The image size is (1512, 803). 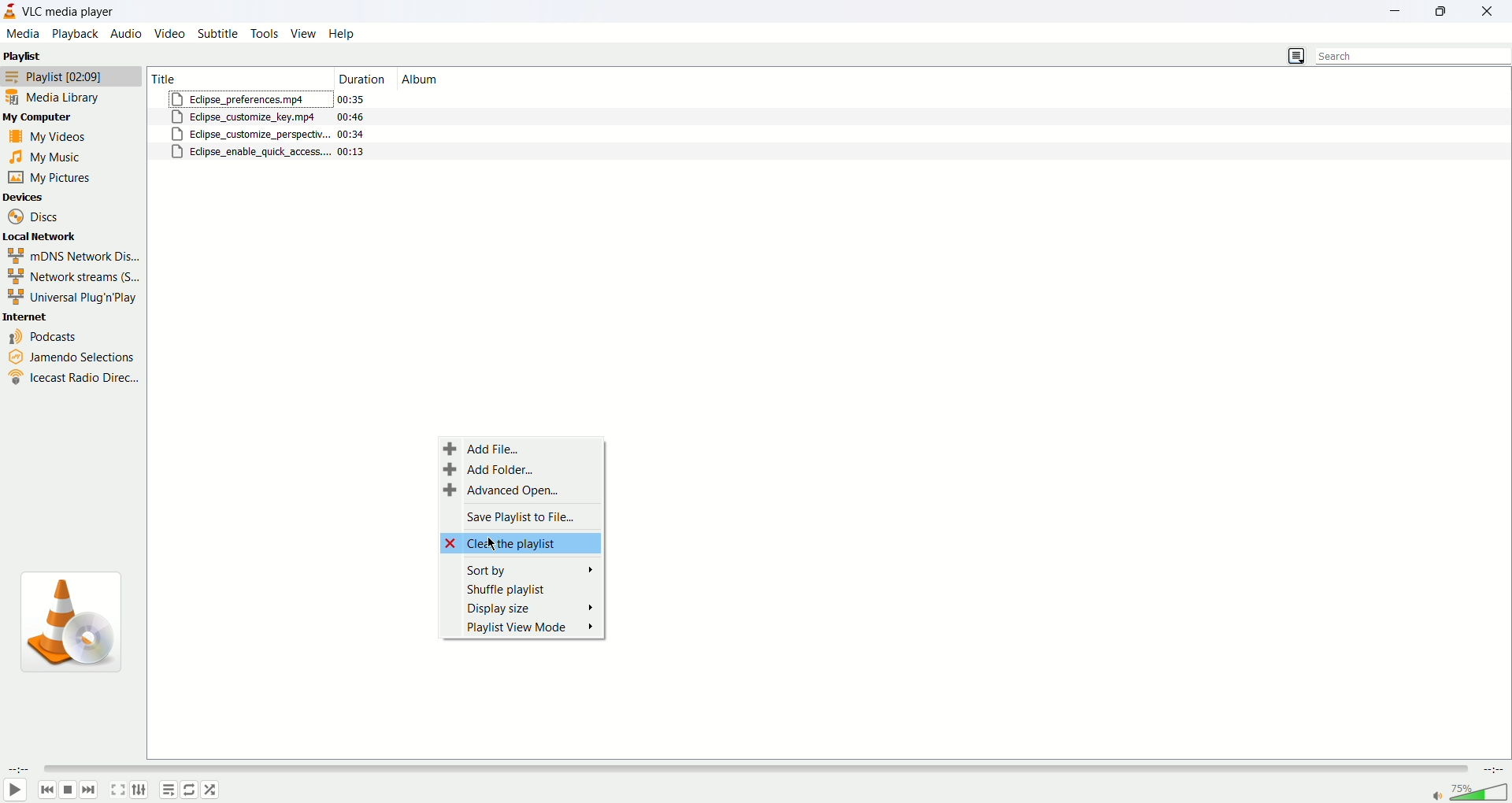 I want to click on mDNS Network, so click(x=72, y=257).